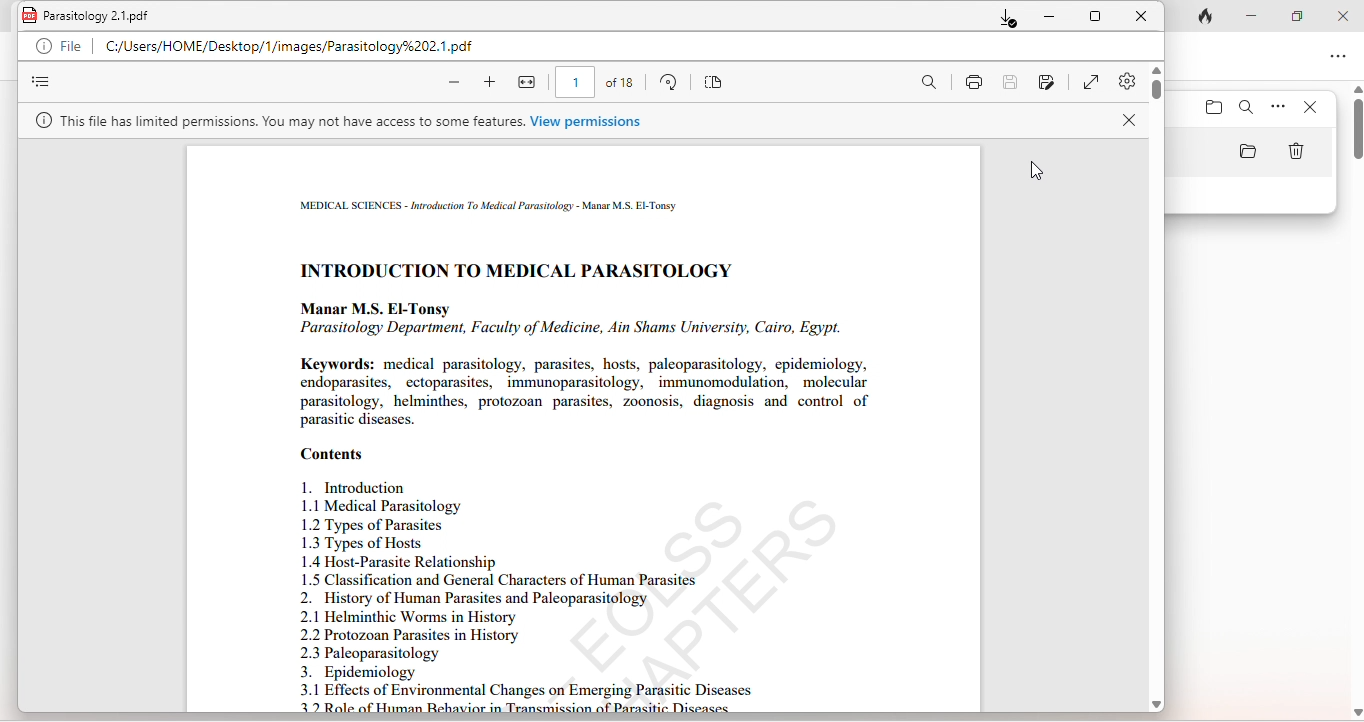 This screenshot has width=1364, height=722. What do you see at coordinates (1296, 17) in the screenshot?
I see `maximize` at bounding box center [1296, 17].